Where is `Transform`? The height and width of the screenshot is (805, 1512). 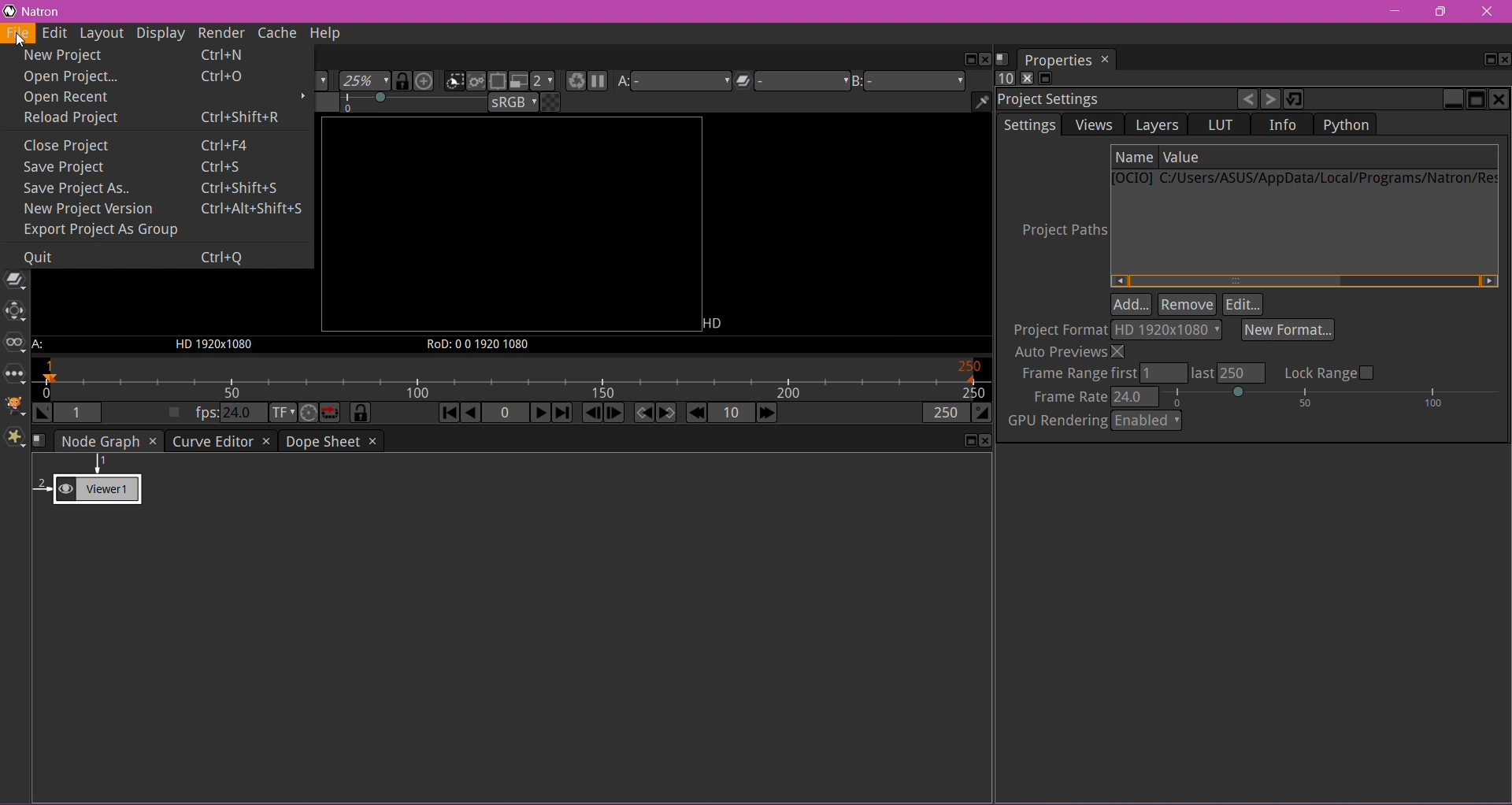 Transform is located at coordinates (16, 312).